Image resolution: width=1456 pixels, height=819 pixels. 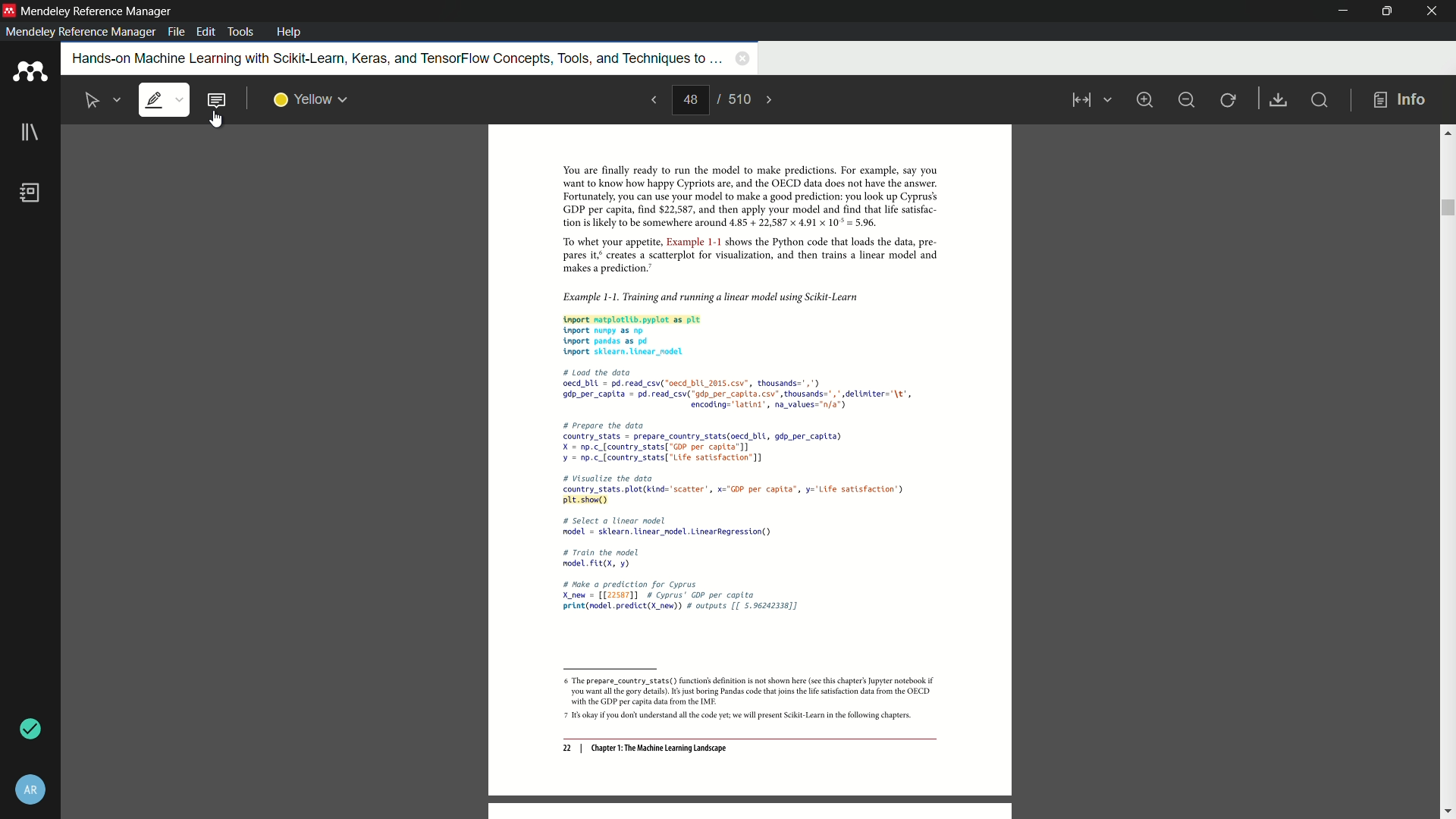 I want to click on view mode, so click(x=1089, y=100).